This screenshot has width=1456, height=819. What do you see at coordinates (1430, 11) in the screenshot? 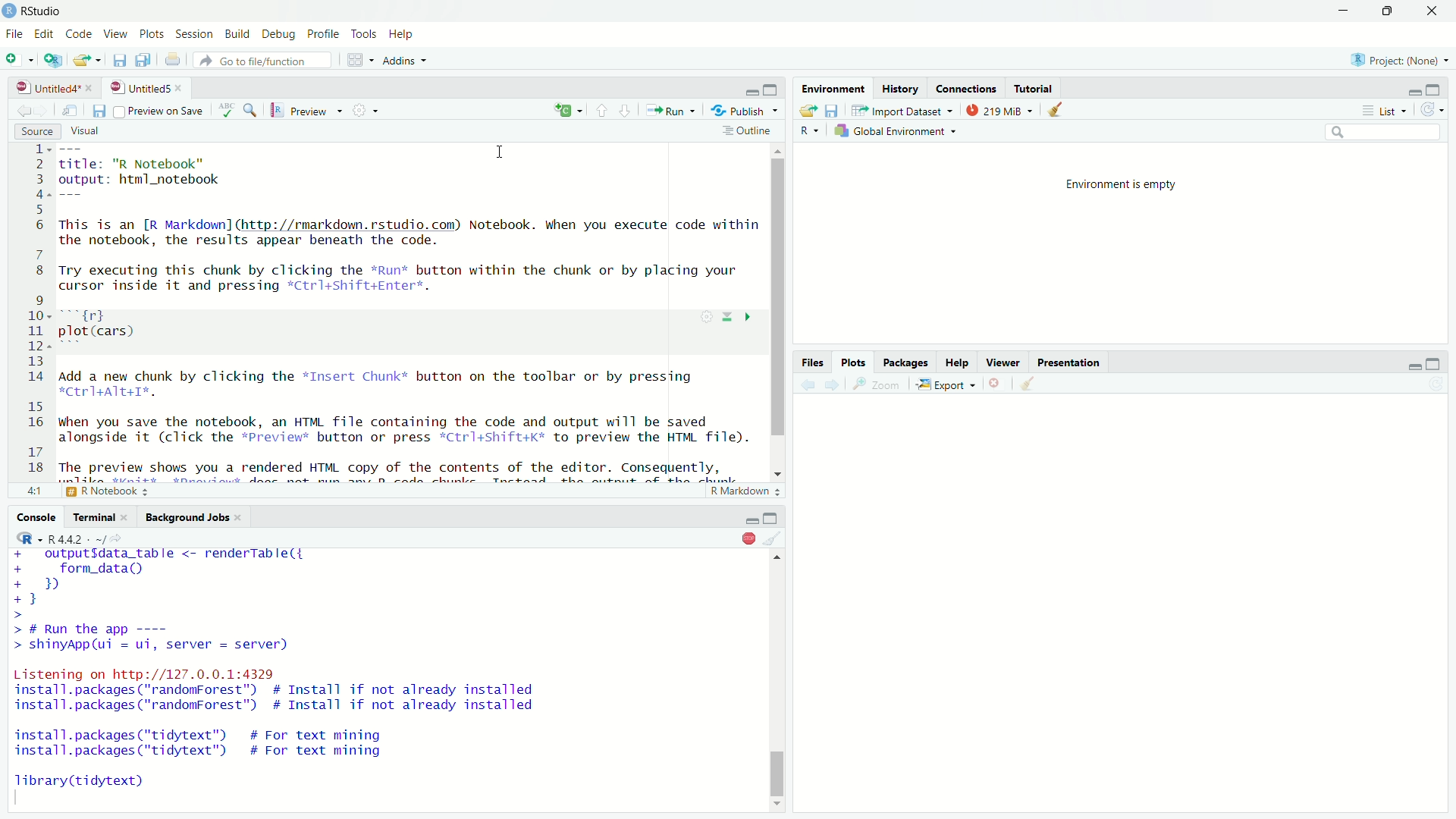
I see `Close` at bounding box center [1430, 11].